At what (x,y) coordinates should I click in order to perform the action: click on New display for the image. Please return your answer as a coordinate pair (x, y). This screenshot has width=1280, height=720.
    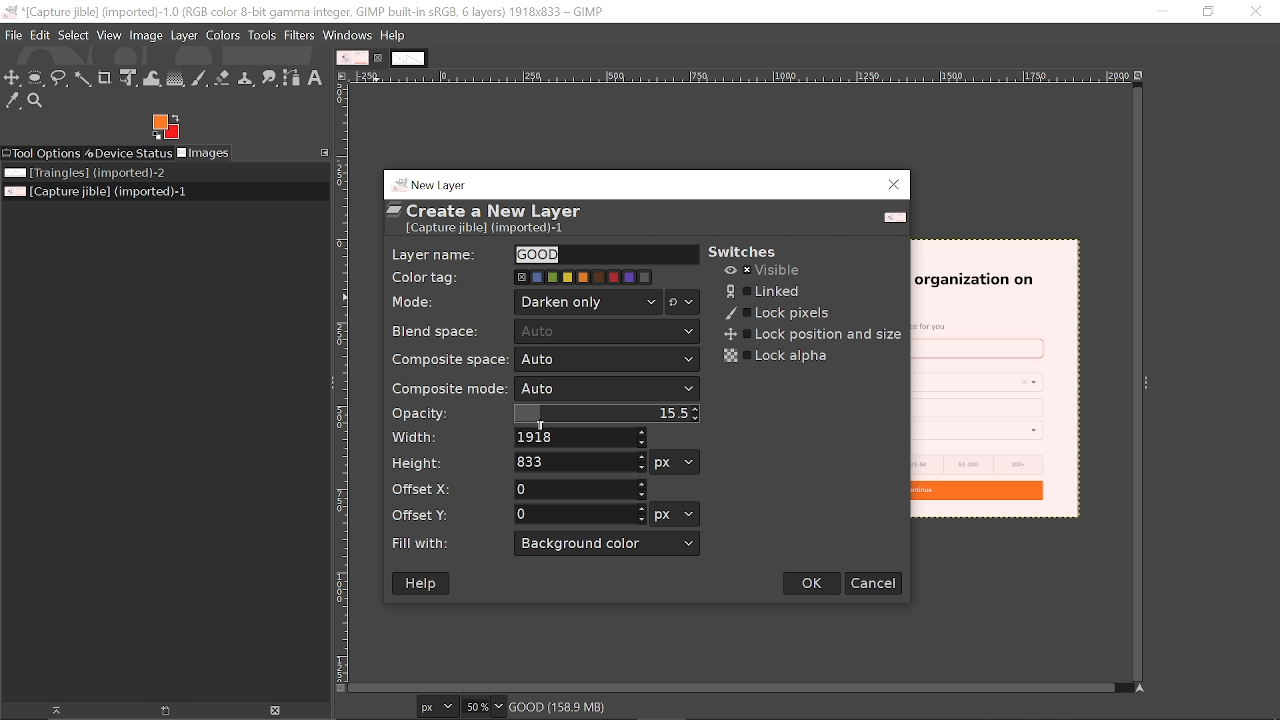
    Looking at the image, I should click on (156, 712).